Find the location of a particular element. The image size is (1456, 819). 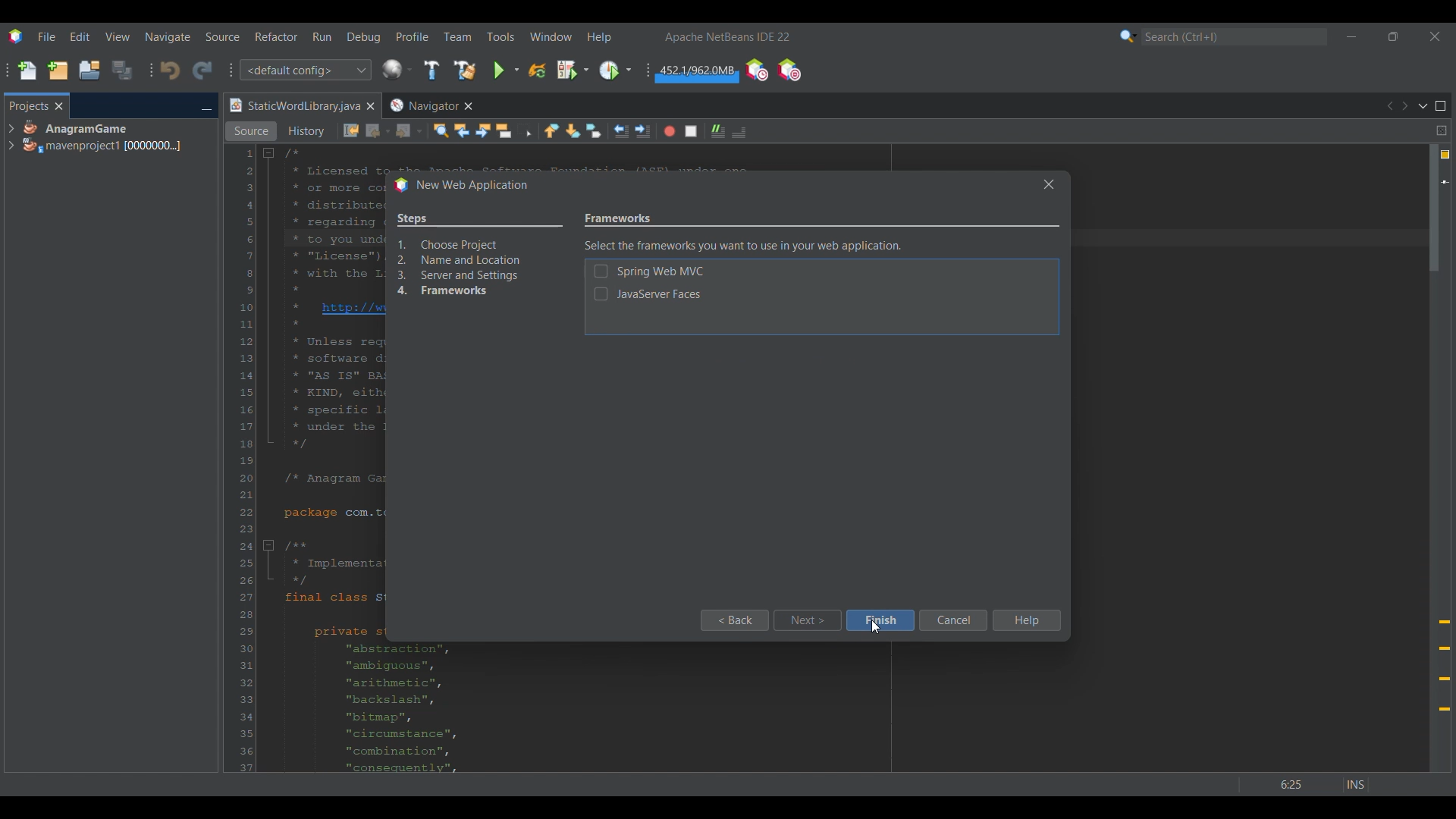

Search options is located at coordinates (1128, 36).